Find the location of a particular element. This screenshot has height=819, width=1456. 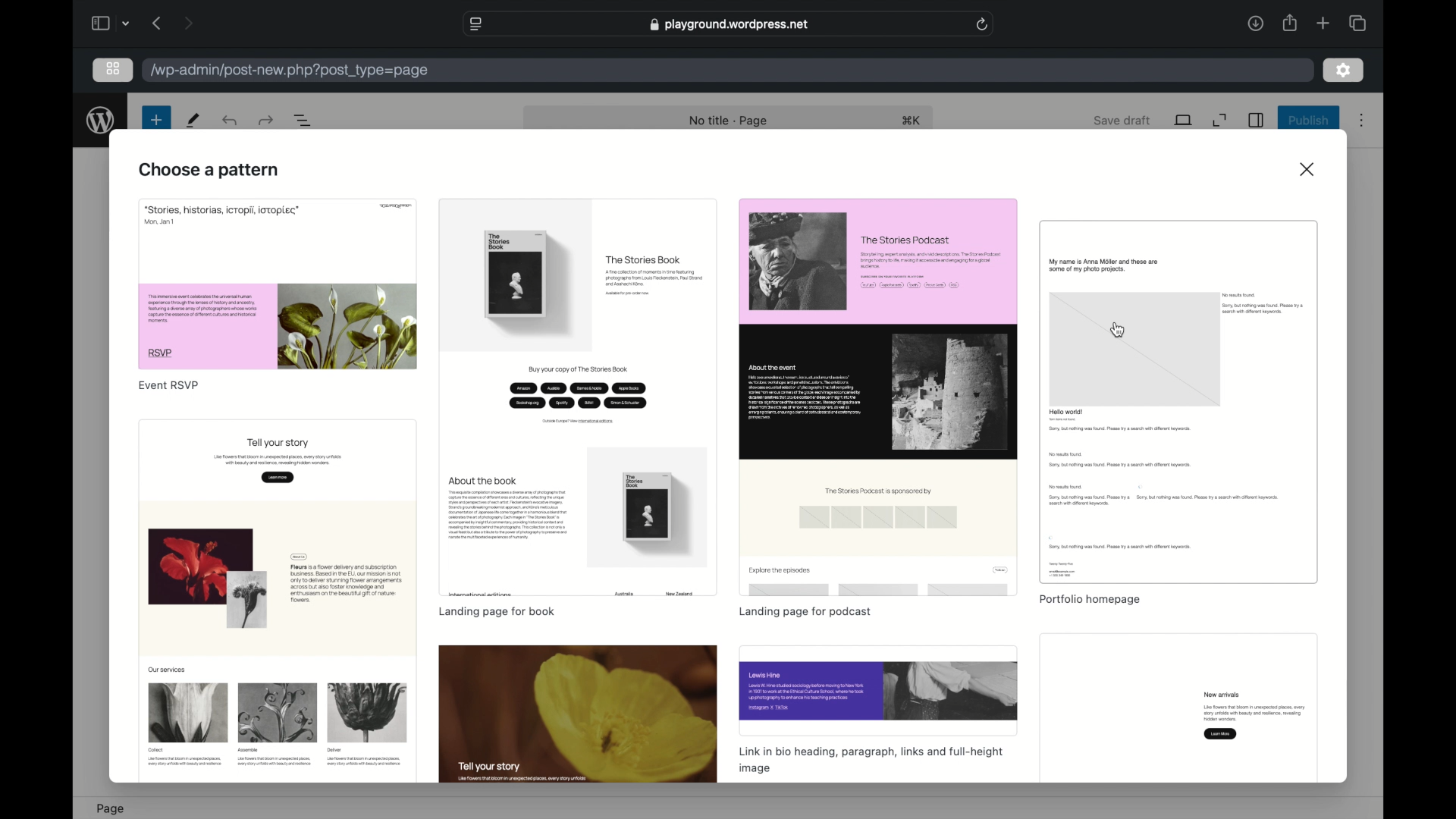

wordpress address is located at coordinates (287, 71).